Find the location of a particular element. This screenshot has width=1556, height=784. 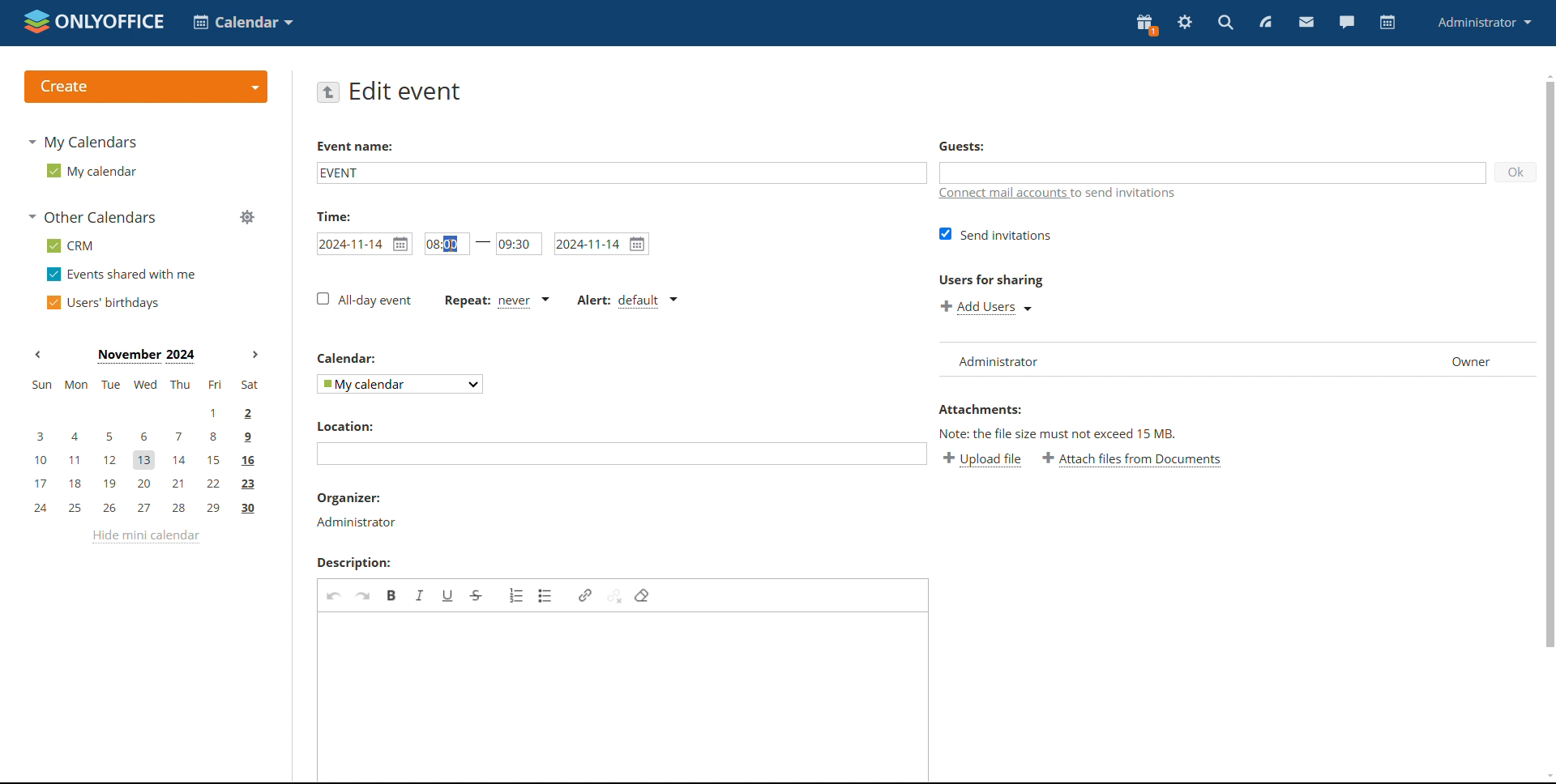

17, 18, 19, 20, 21, 22, 23 is located at coordinates (147, 484).